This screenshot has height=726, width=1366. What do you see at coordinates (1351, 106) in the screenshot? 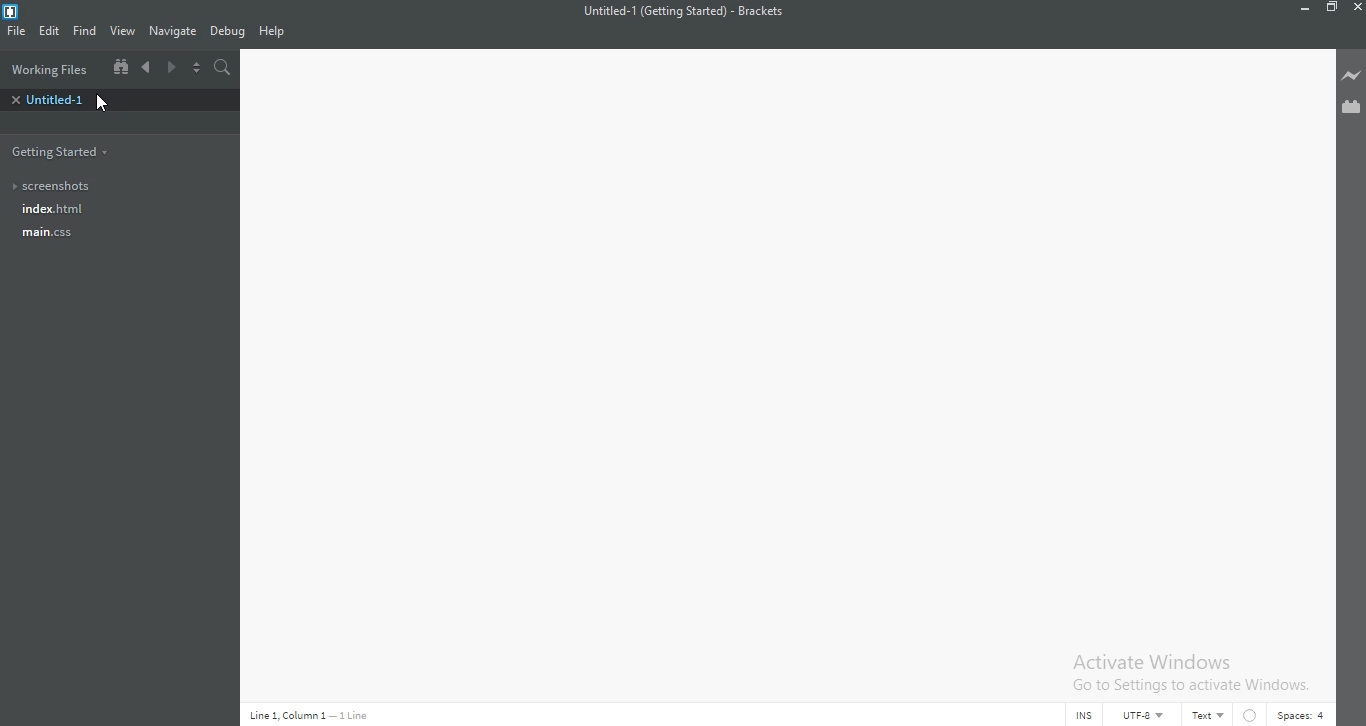
I see `Extension Manager` at bounding box center [1351, 106].